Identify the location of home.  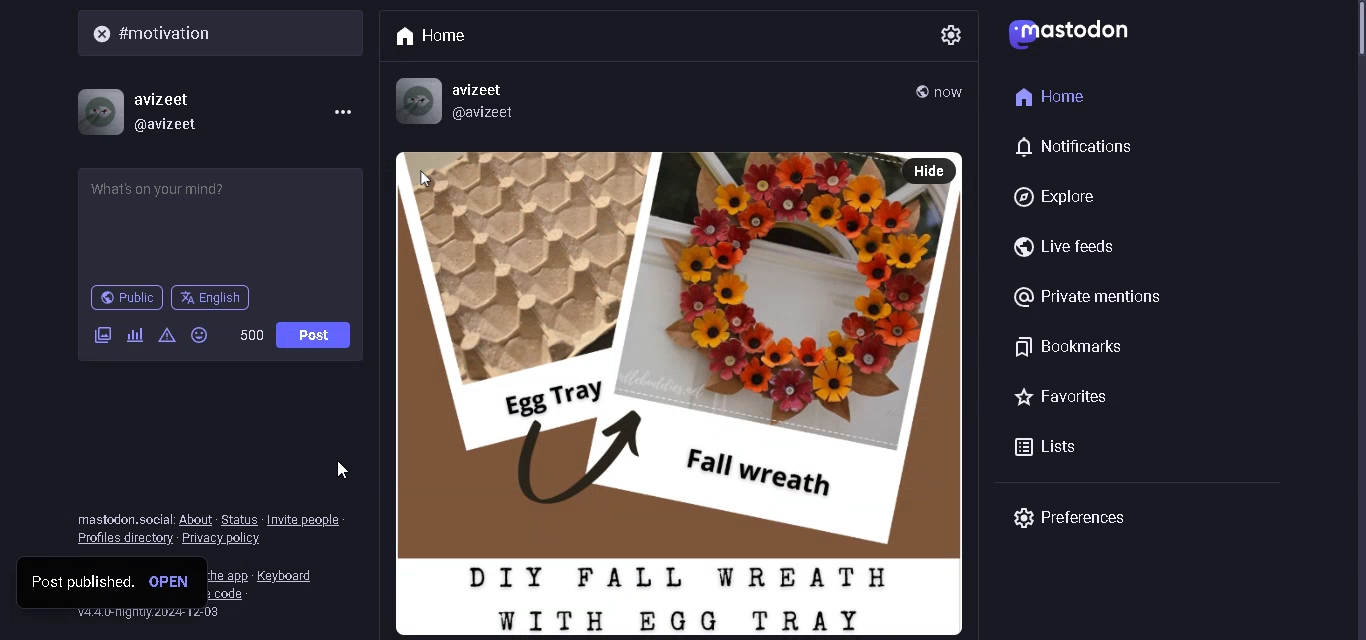
(1053, 95).